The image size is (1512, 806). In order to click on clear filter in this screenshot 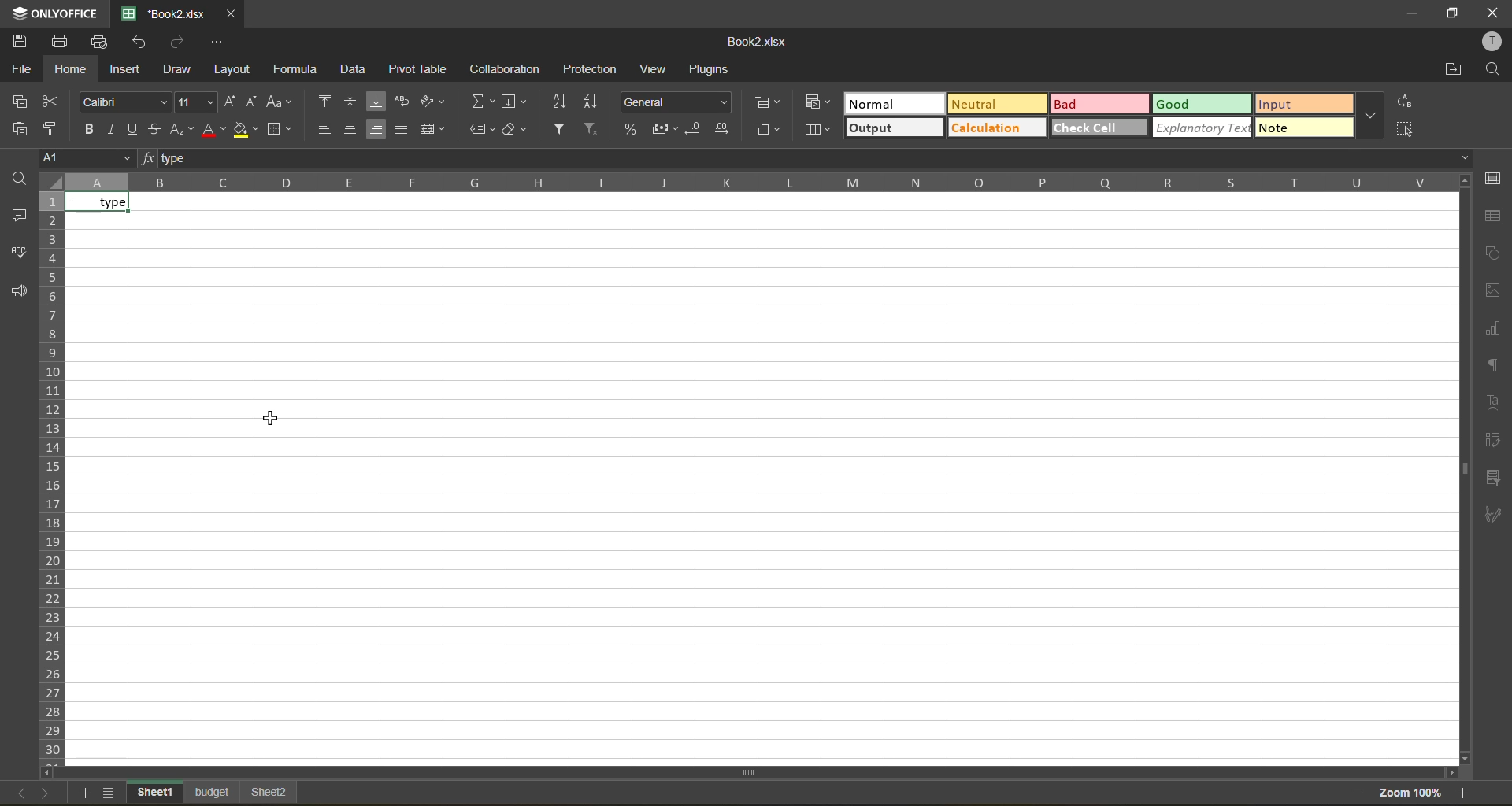, I will do `click(590, 130)`.